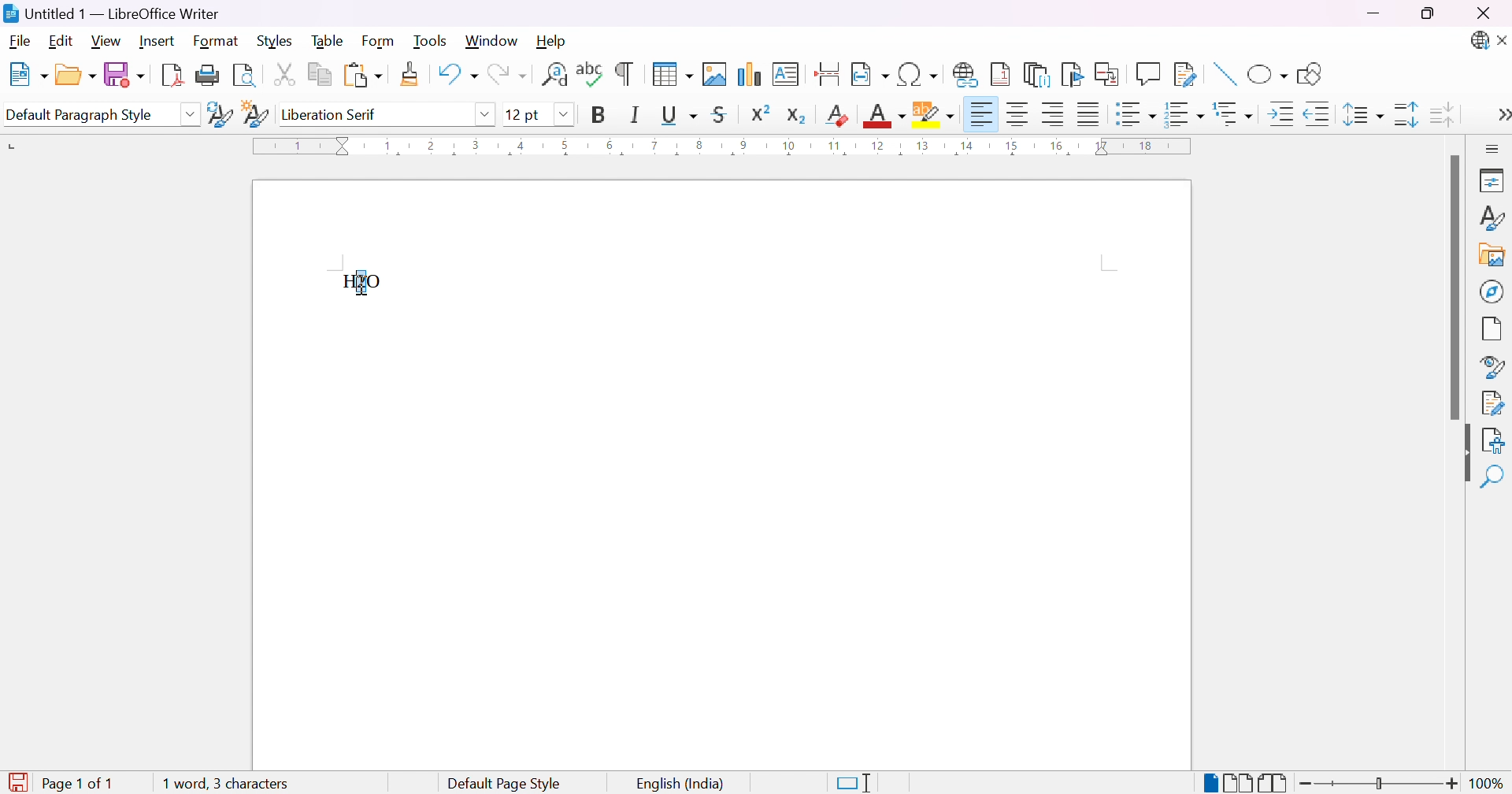 Image resolution: width=1512 pixels, height=794 pixels. Describe the element at coordinates (80, 116) in the screenshot. I see `Default paragraph style` at that location.